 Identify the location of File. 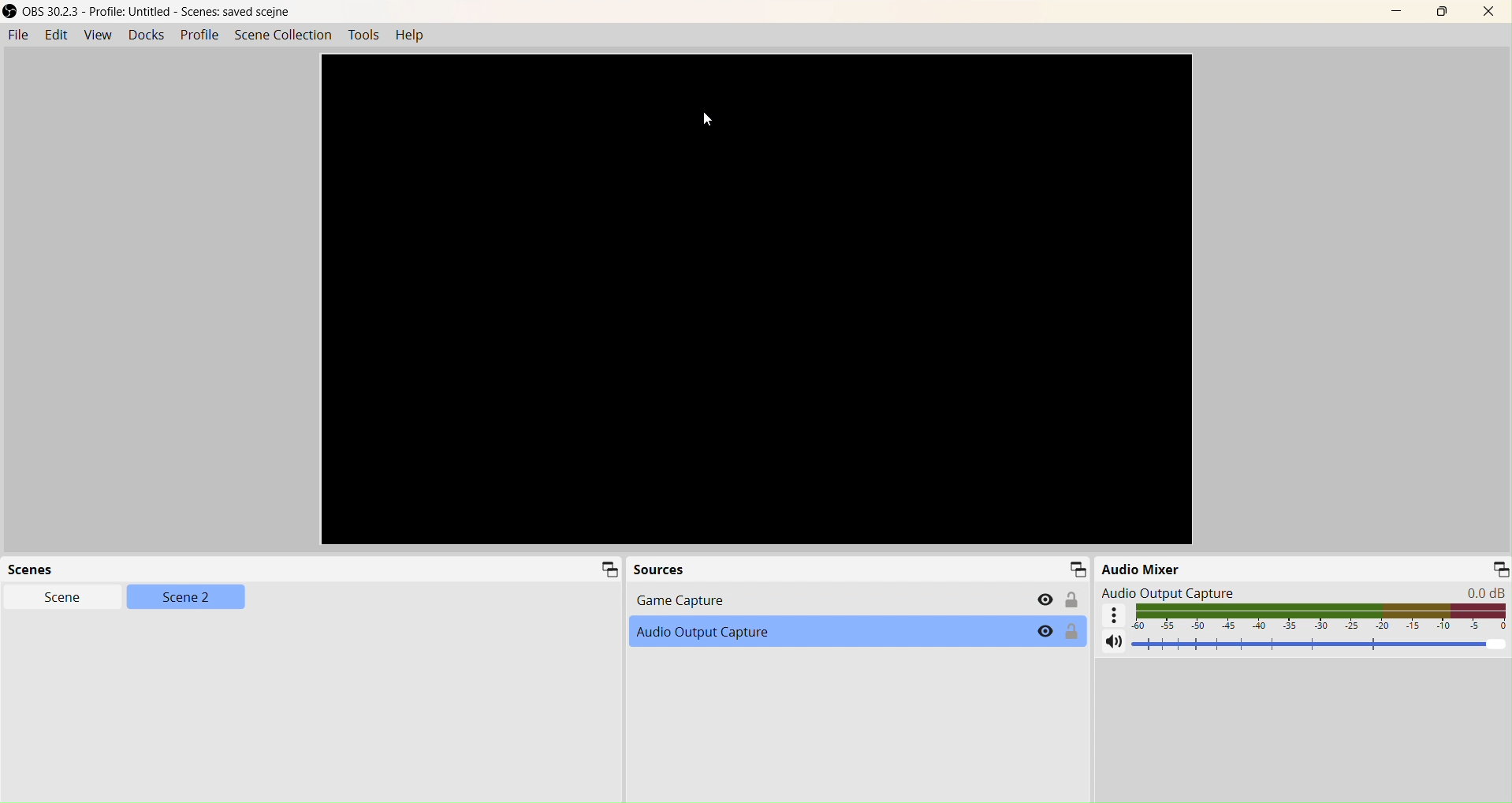
(19, 36).